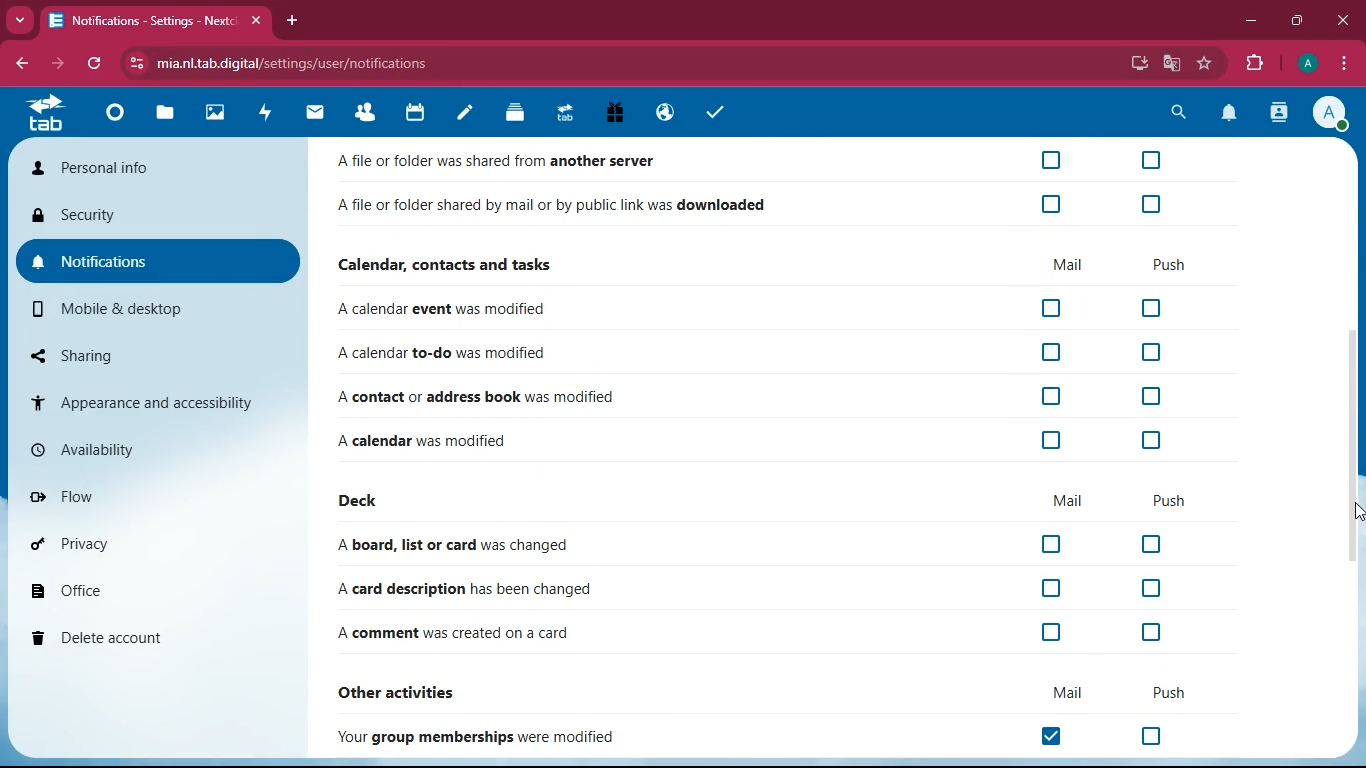  Describe the element at coordinates (1305, 61) in the screenshot. I see `Account` at that location.